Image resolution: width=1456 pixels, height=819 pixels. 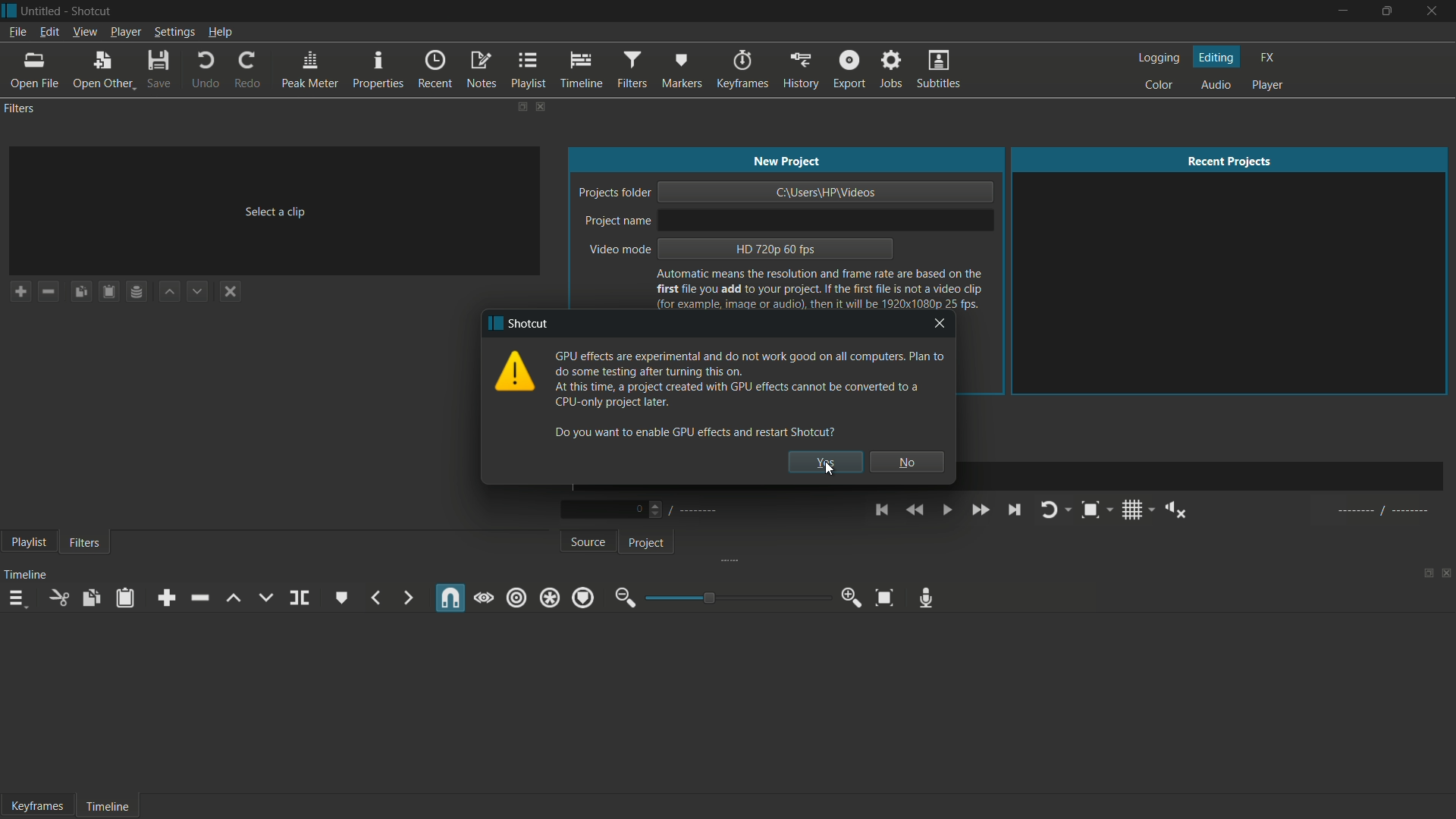 What do you see at coordinates (1232, 162) in the screenshot?
I see `recent projects` at bounding box center [1232, 162].